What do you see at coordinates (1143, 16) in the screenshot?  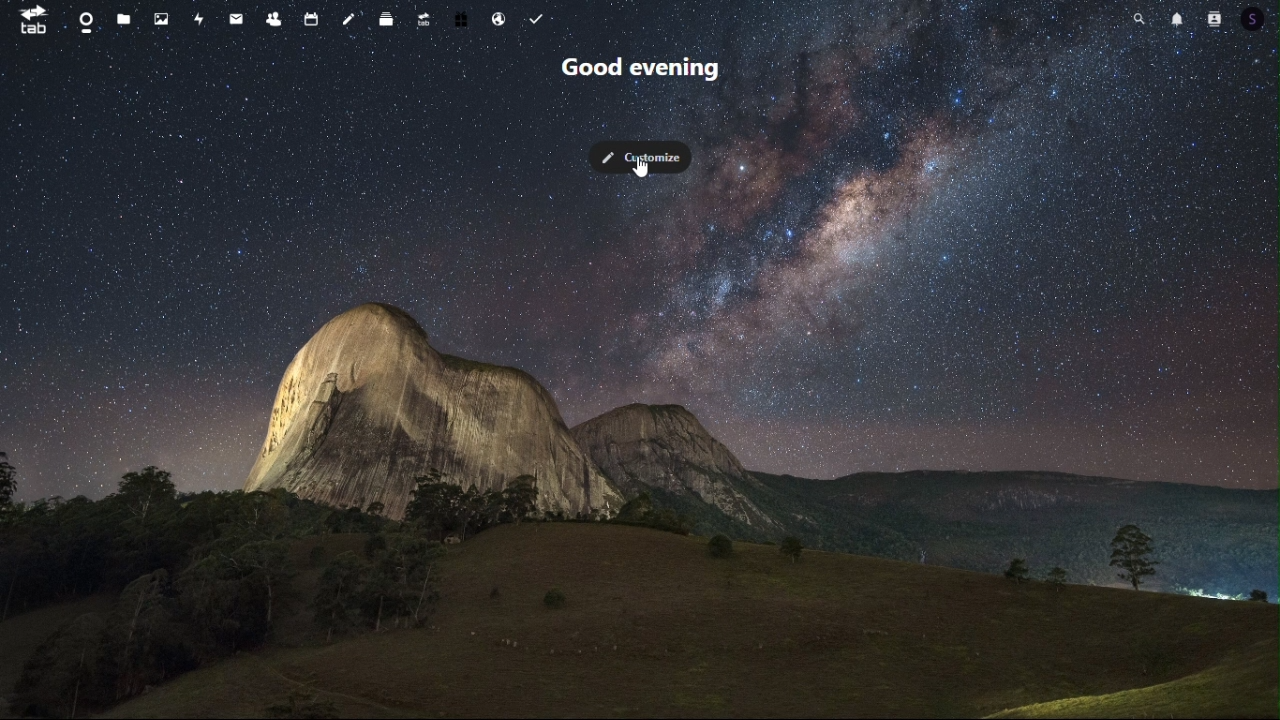 I see `Search` at bounding box center [1143, 16].